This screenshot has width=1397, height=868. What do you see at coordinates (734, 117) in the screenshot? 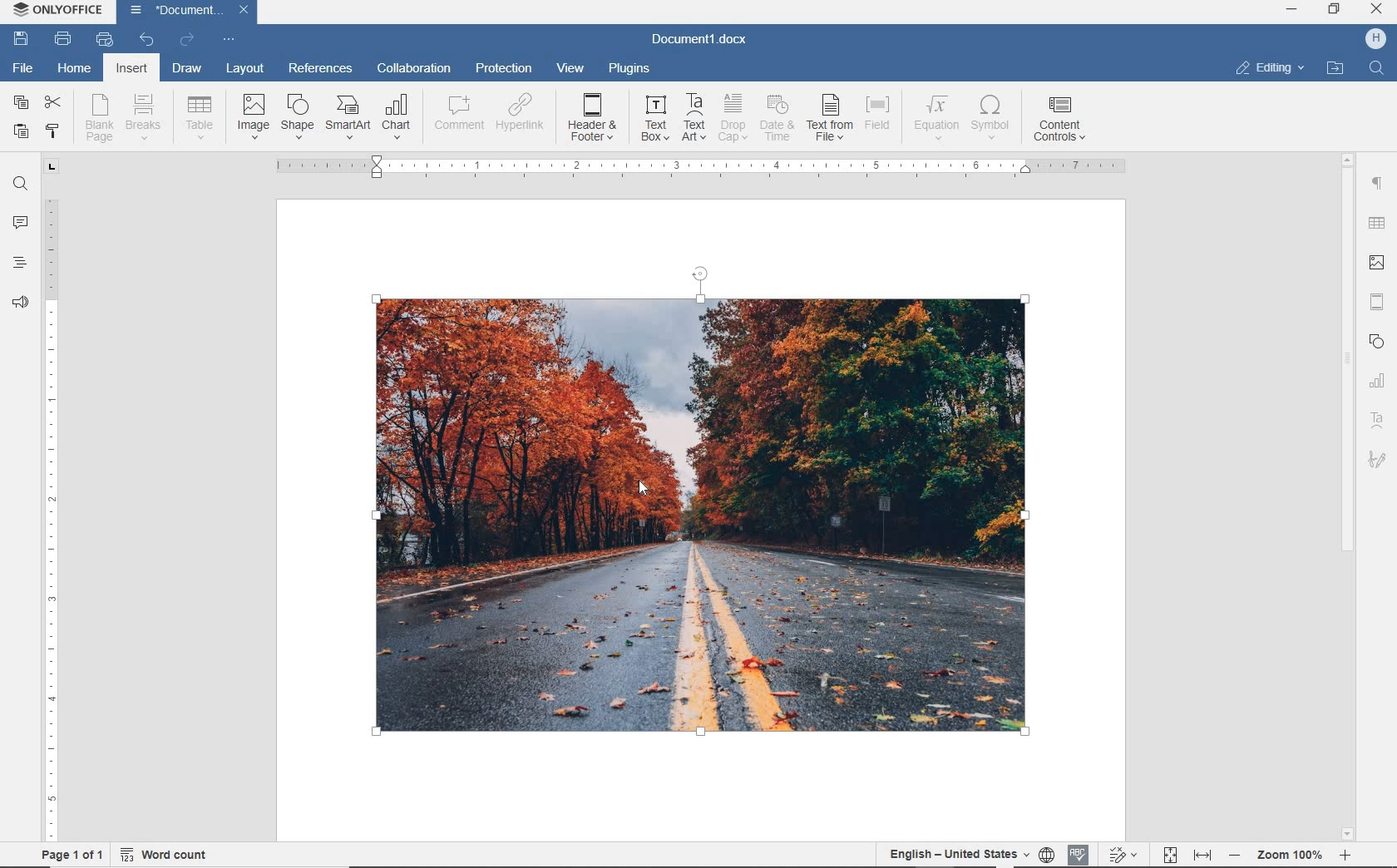
I see `drop cap` at bounding box center [734, 117].